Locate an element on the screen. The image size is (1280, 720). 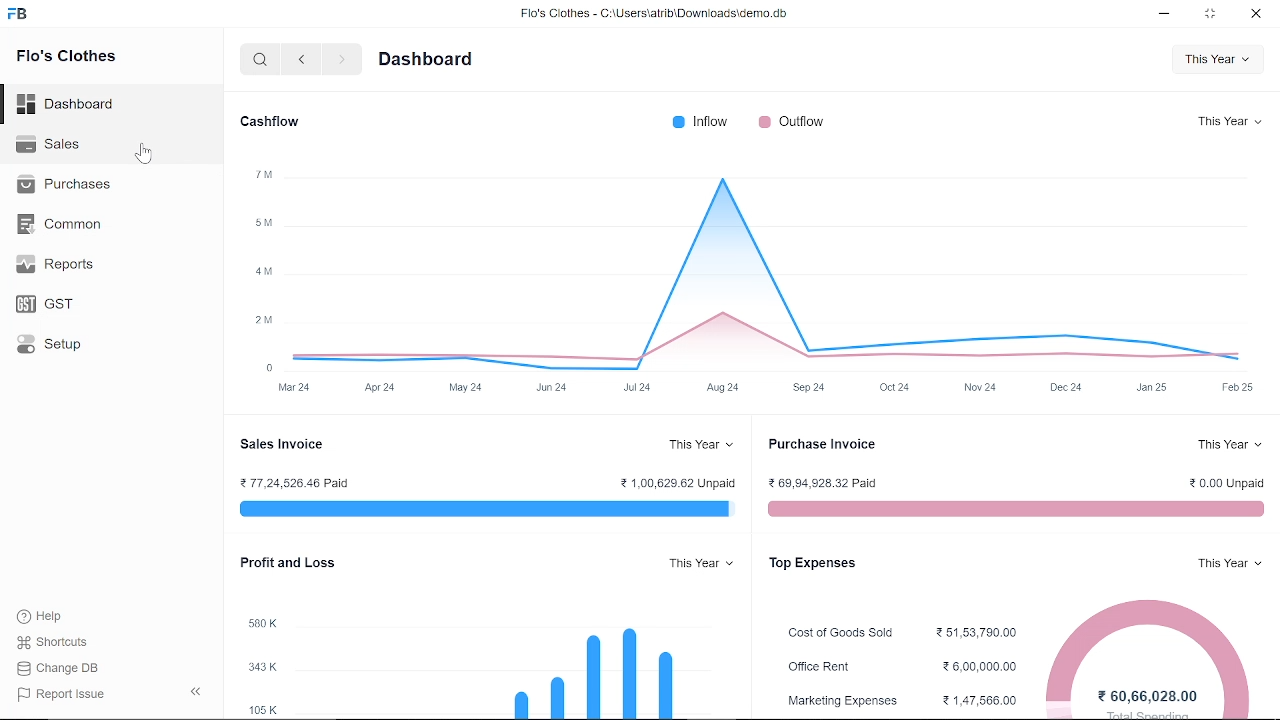
Dashboard is located at coordinates (67, 104).